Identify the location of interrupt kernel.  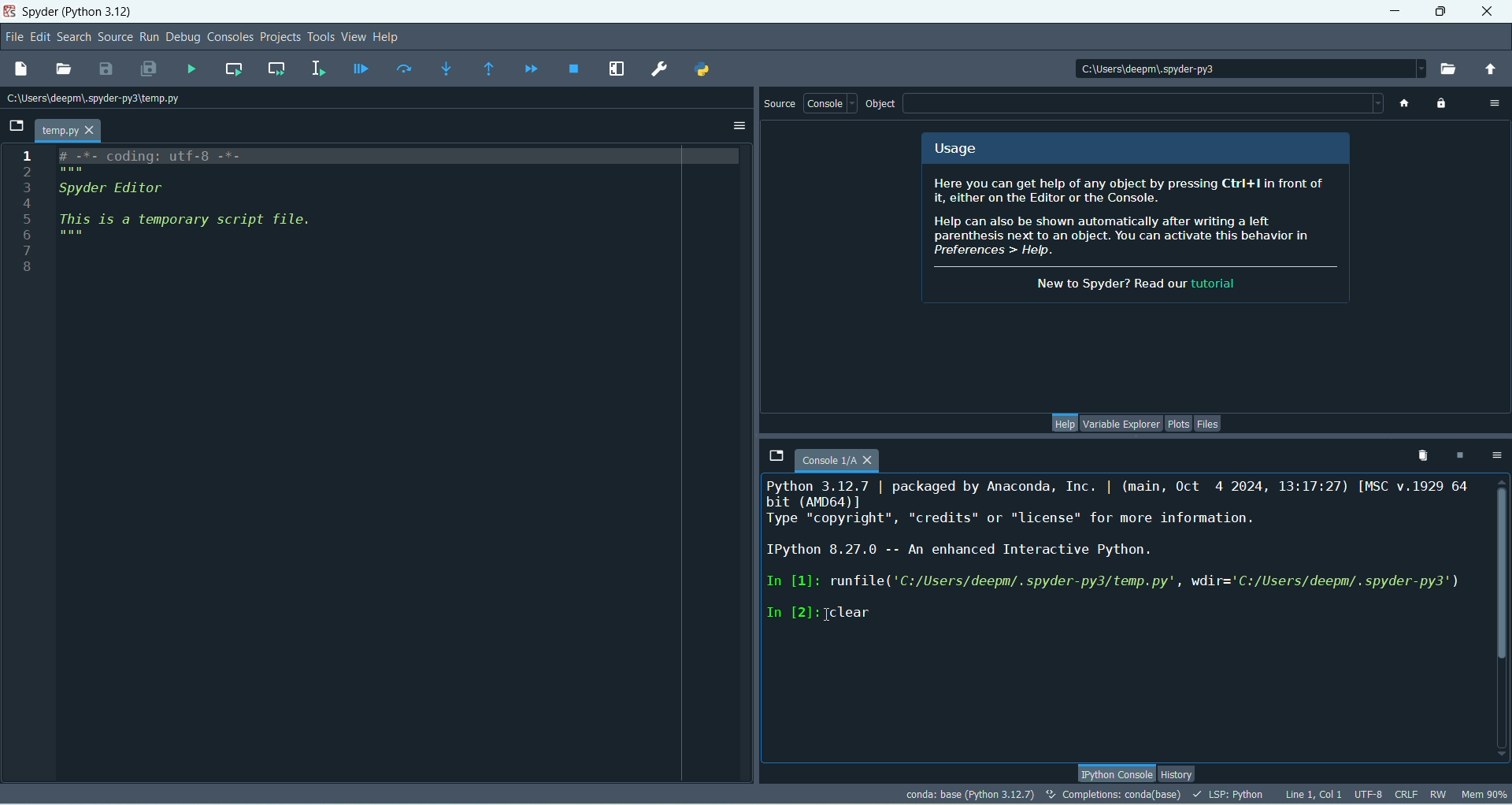
(1464, 455).